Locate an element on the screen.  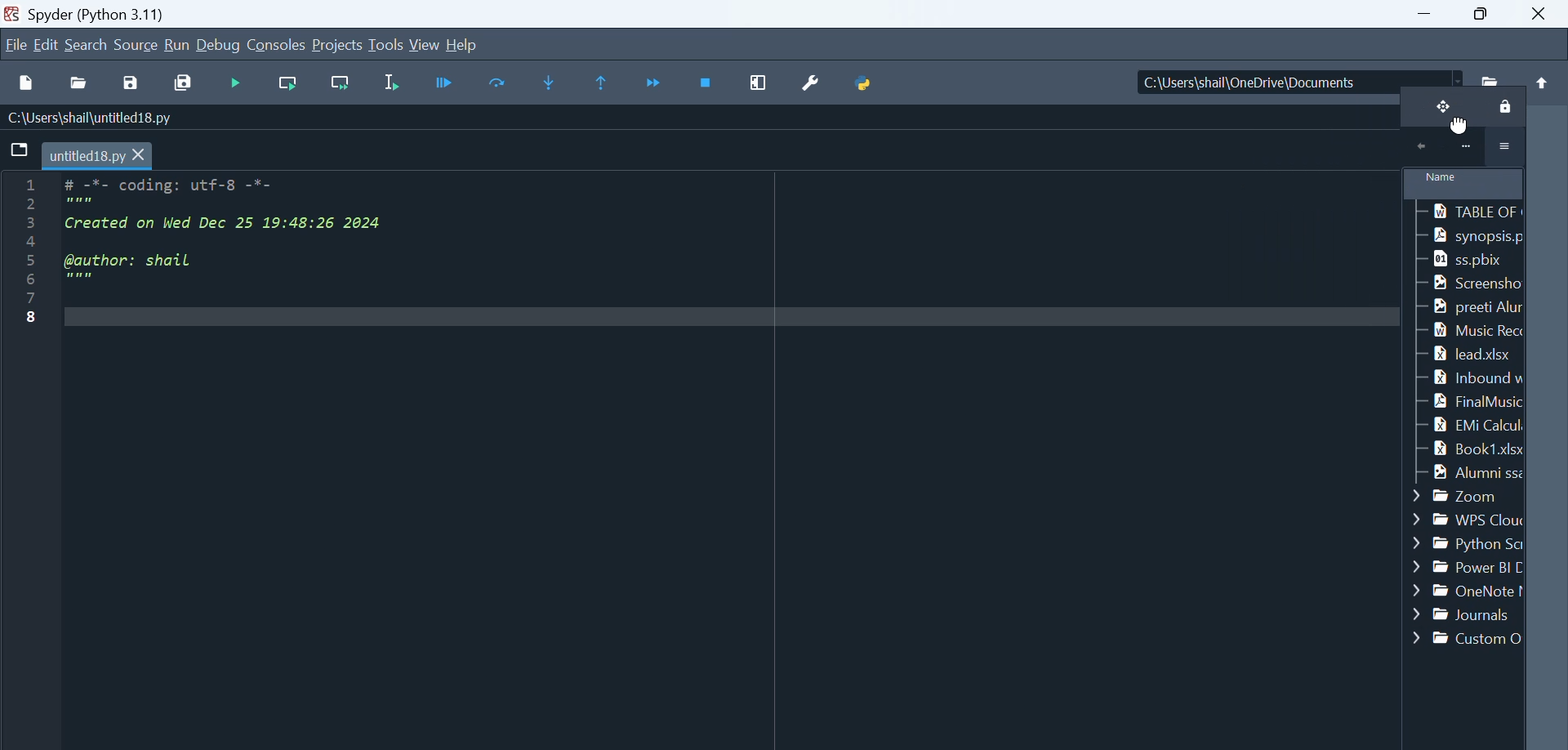
Maximise current window is located at coordinates (760, 83).